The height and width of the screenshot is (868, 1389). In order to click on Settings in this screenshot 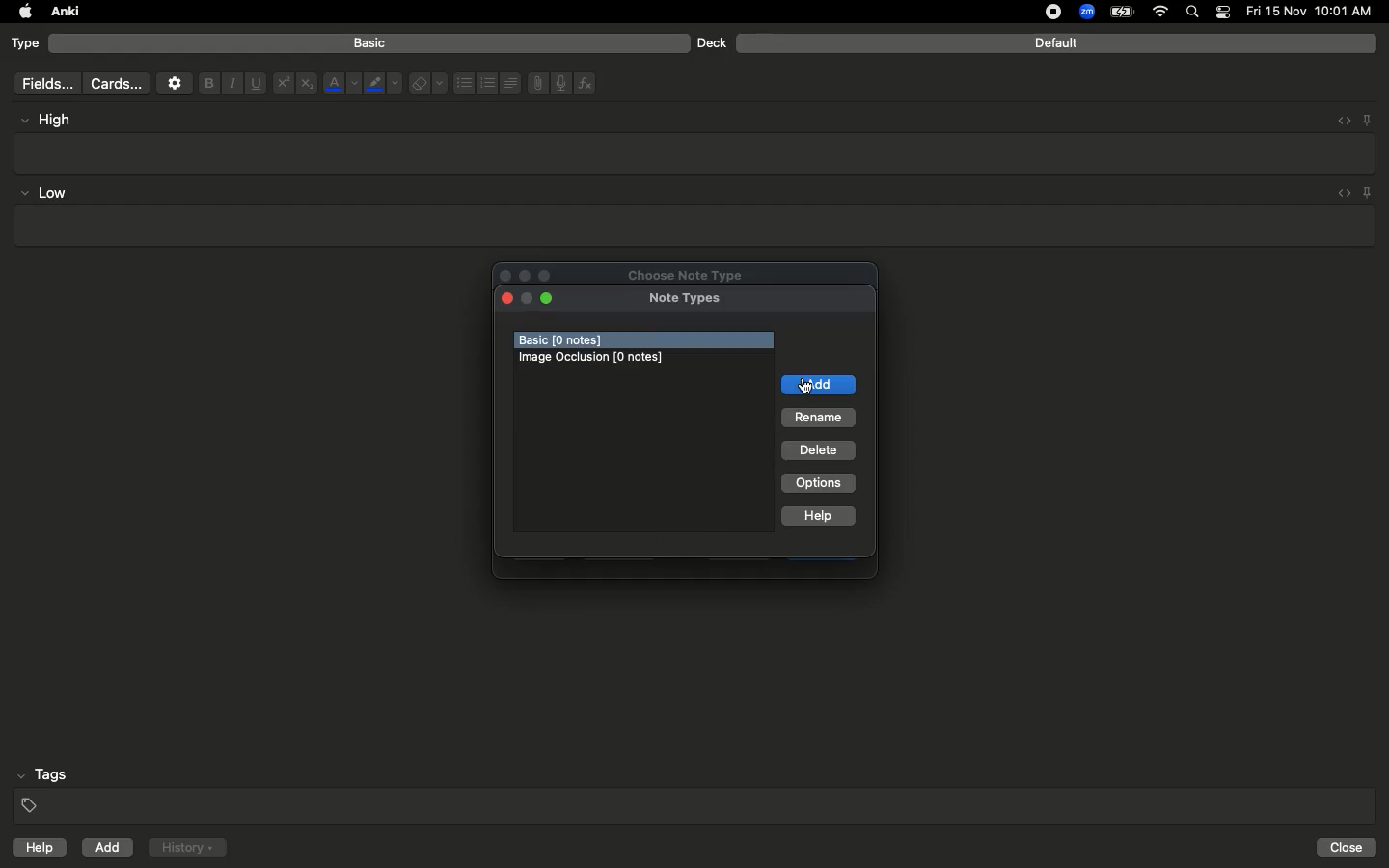, I will do `click(175, 83)`.